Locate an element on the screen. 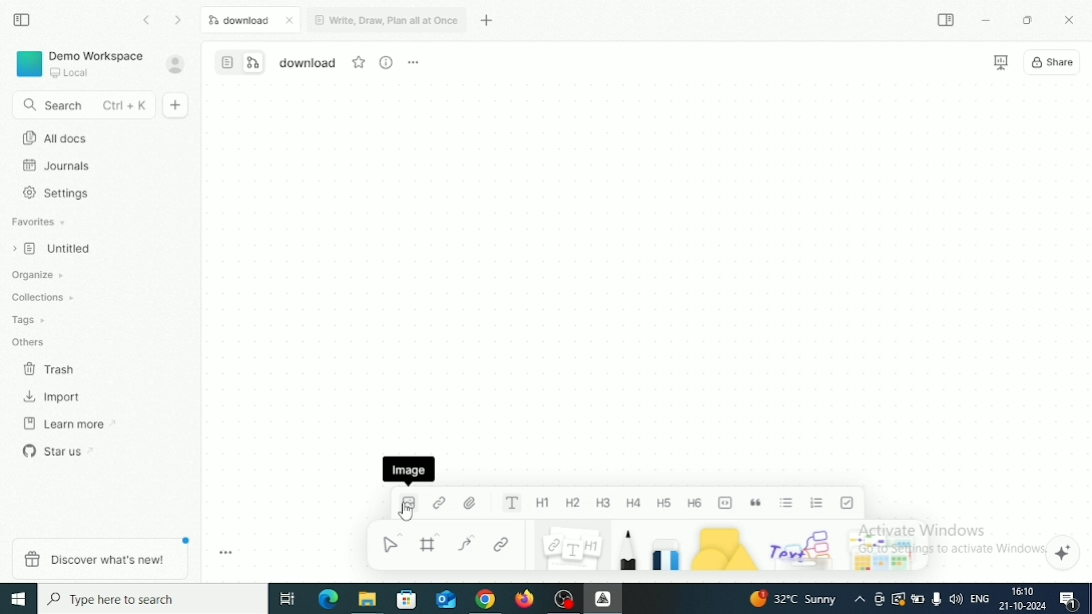  Download is located at coordinates (252, 20).